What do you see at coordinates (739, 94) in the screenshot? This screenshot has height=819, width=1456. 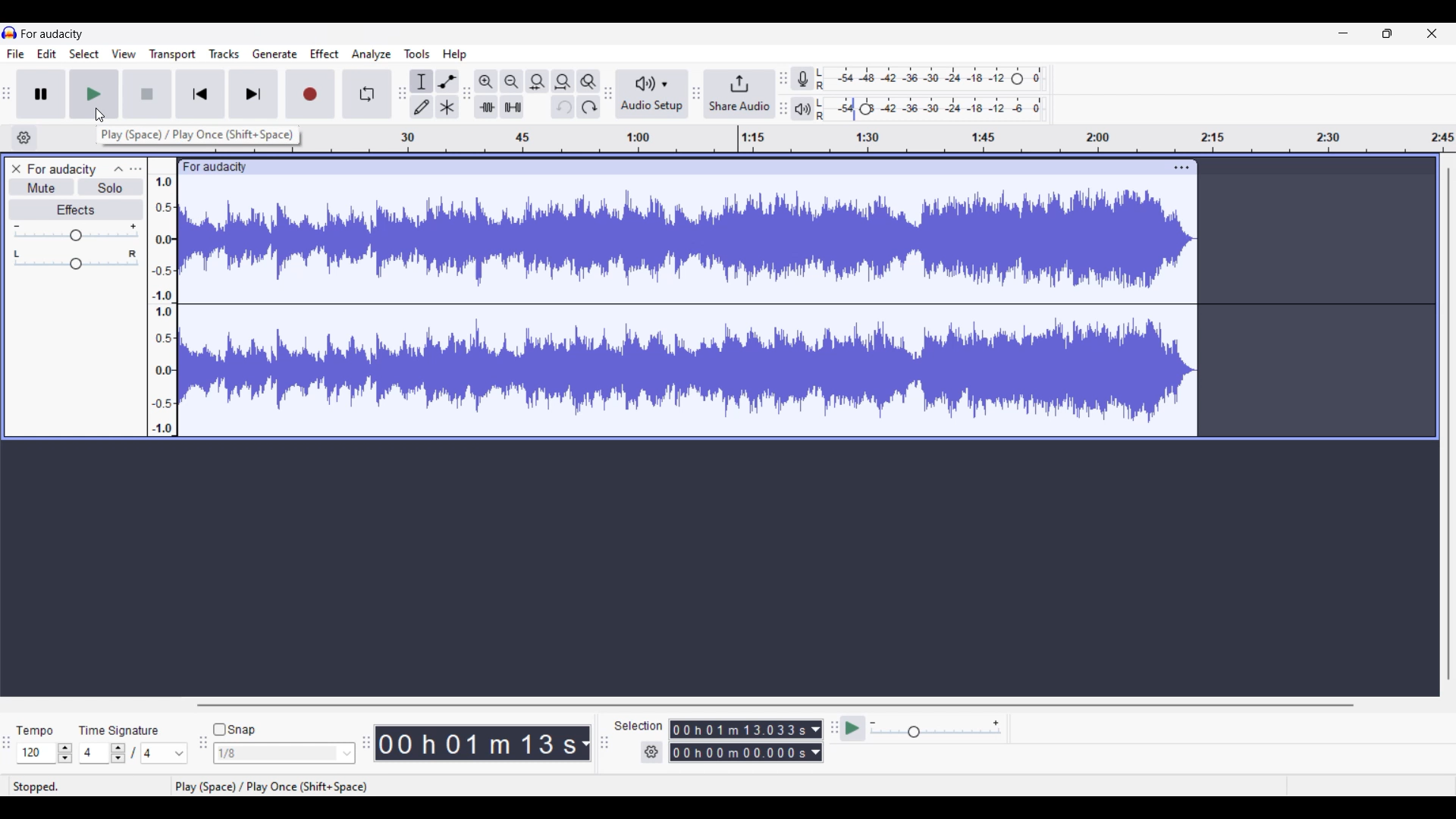 I see `Share audio` at bounding box center [739, 94].